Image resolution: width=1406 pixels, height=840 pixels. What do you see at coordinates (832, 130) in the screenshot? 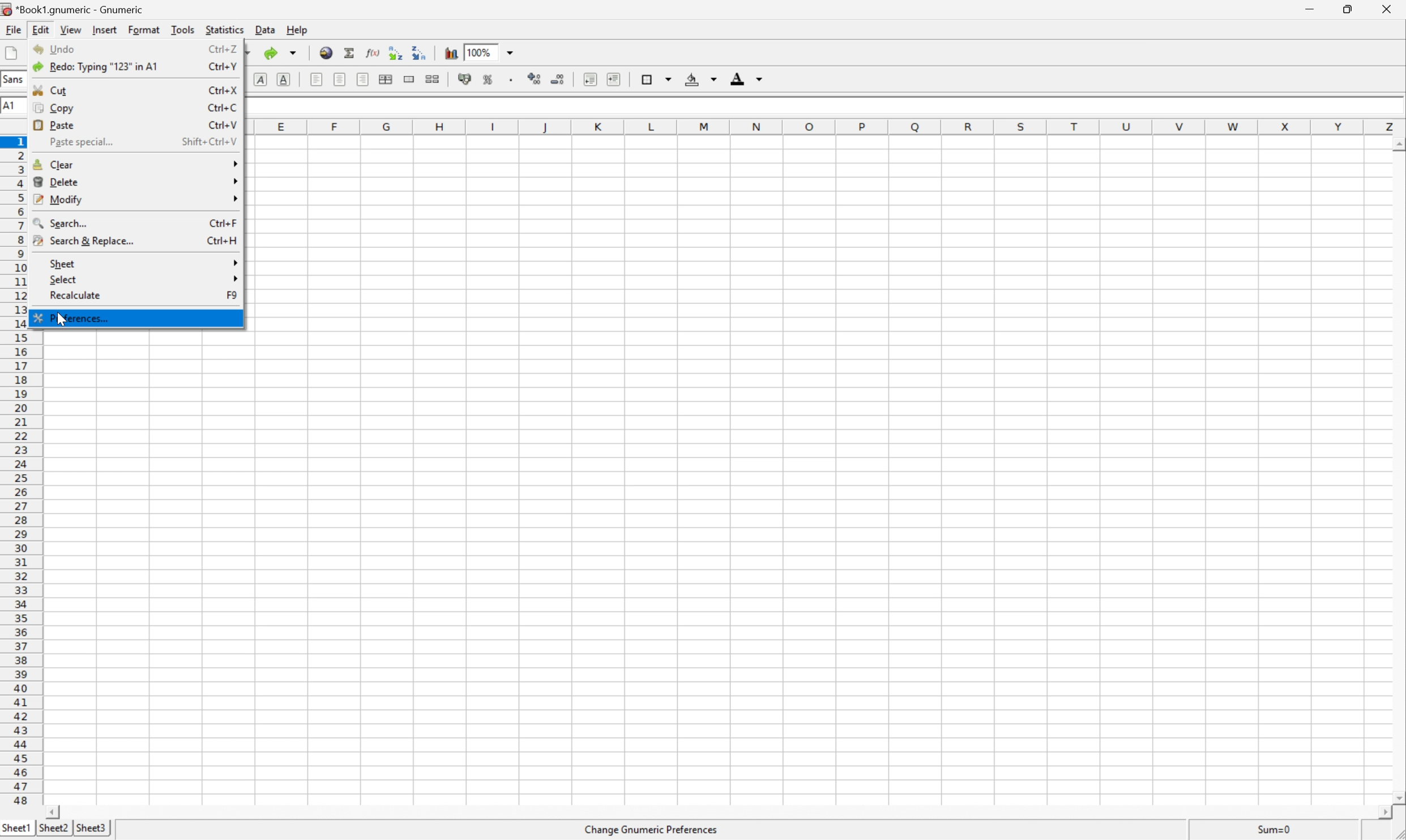
I see `column names` at bounding box center [832, 130].